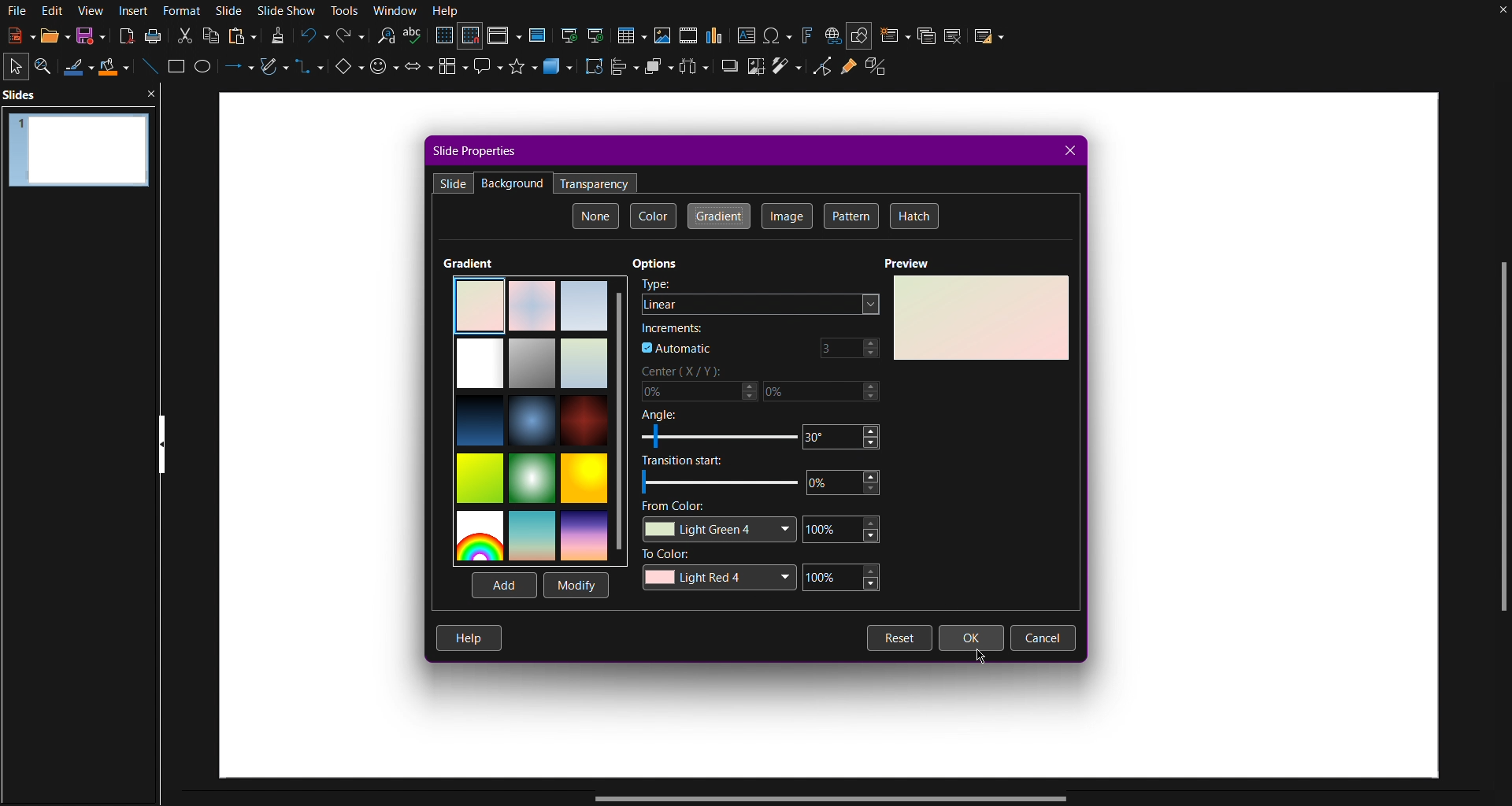 The width and height of the screenshot is (1512, 806). I want to click on Copy, so click(212, 35).